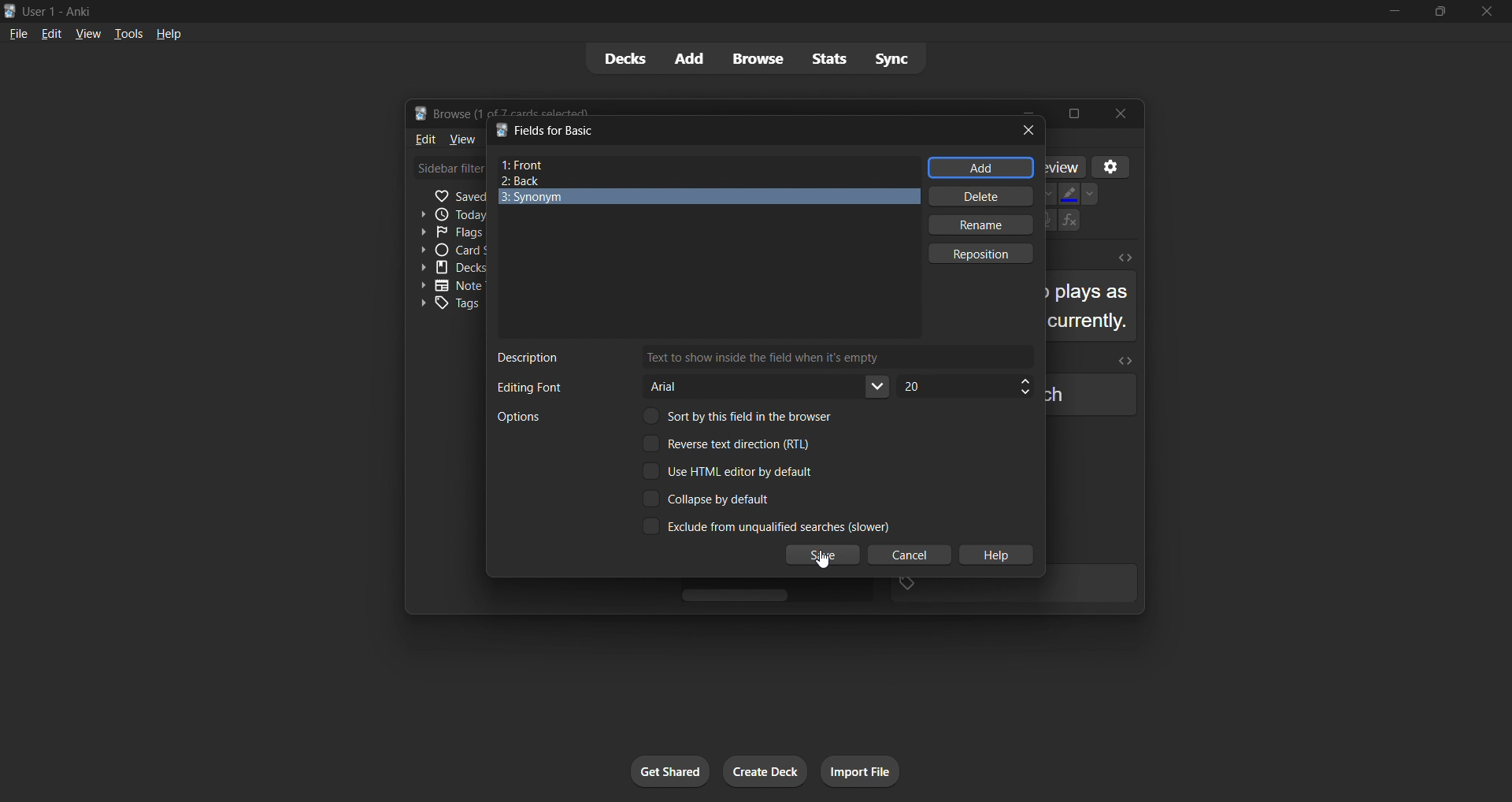  Describe the element at coordinates (982, 227) in the screenshot. I see `rename field` at that location.